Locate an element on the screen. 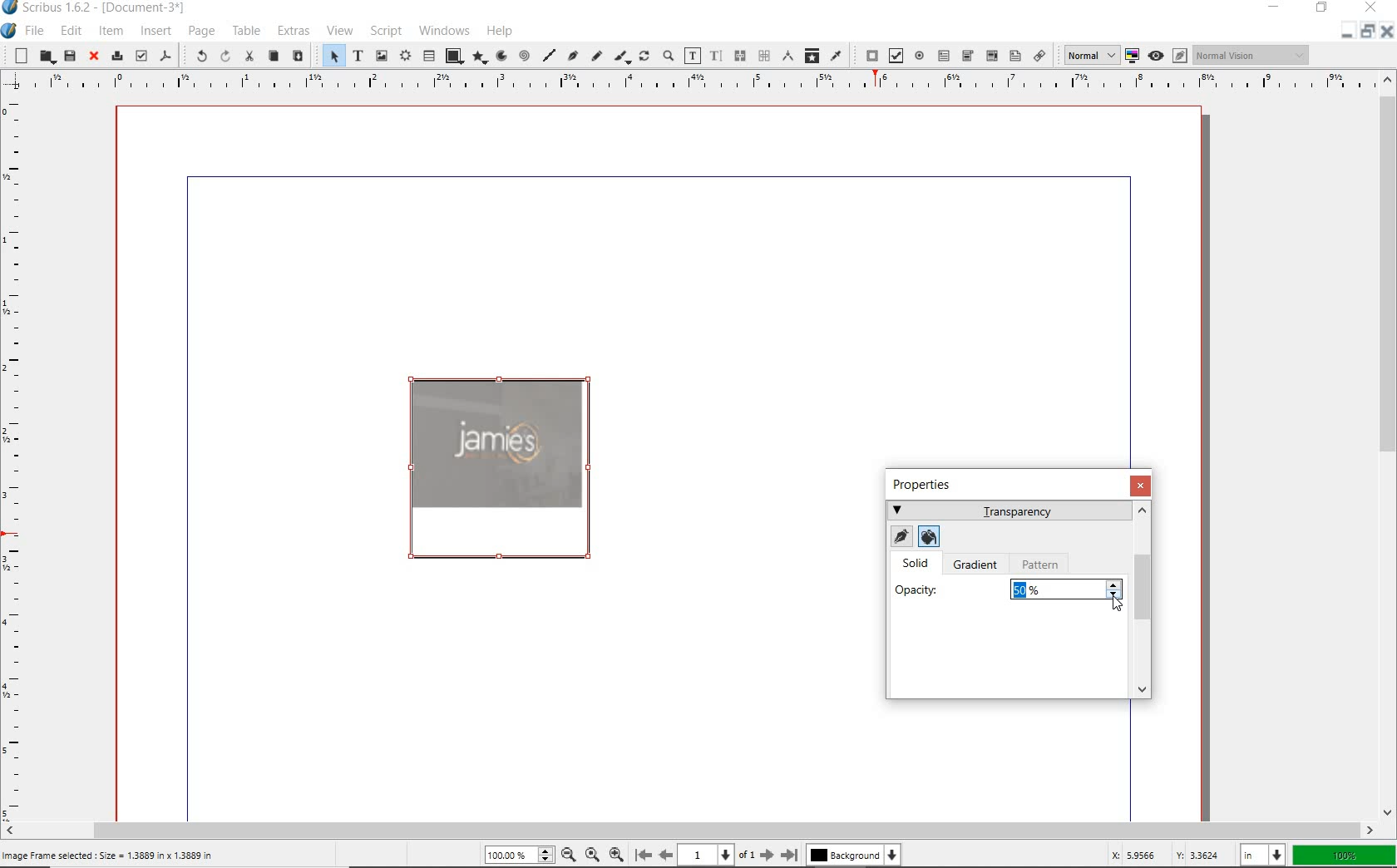 The width and height of the screenshot is (1397, 868). WINDOWS is located at coordinates (444, 31).